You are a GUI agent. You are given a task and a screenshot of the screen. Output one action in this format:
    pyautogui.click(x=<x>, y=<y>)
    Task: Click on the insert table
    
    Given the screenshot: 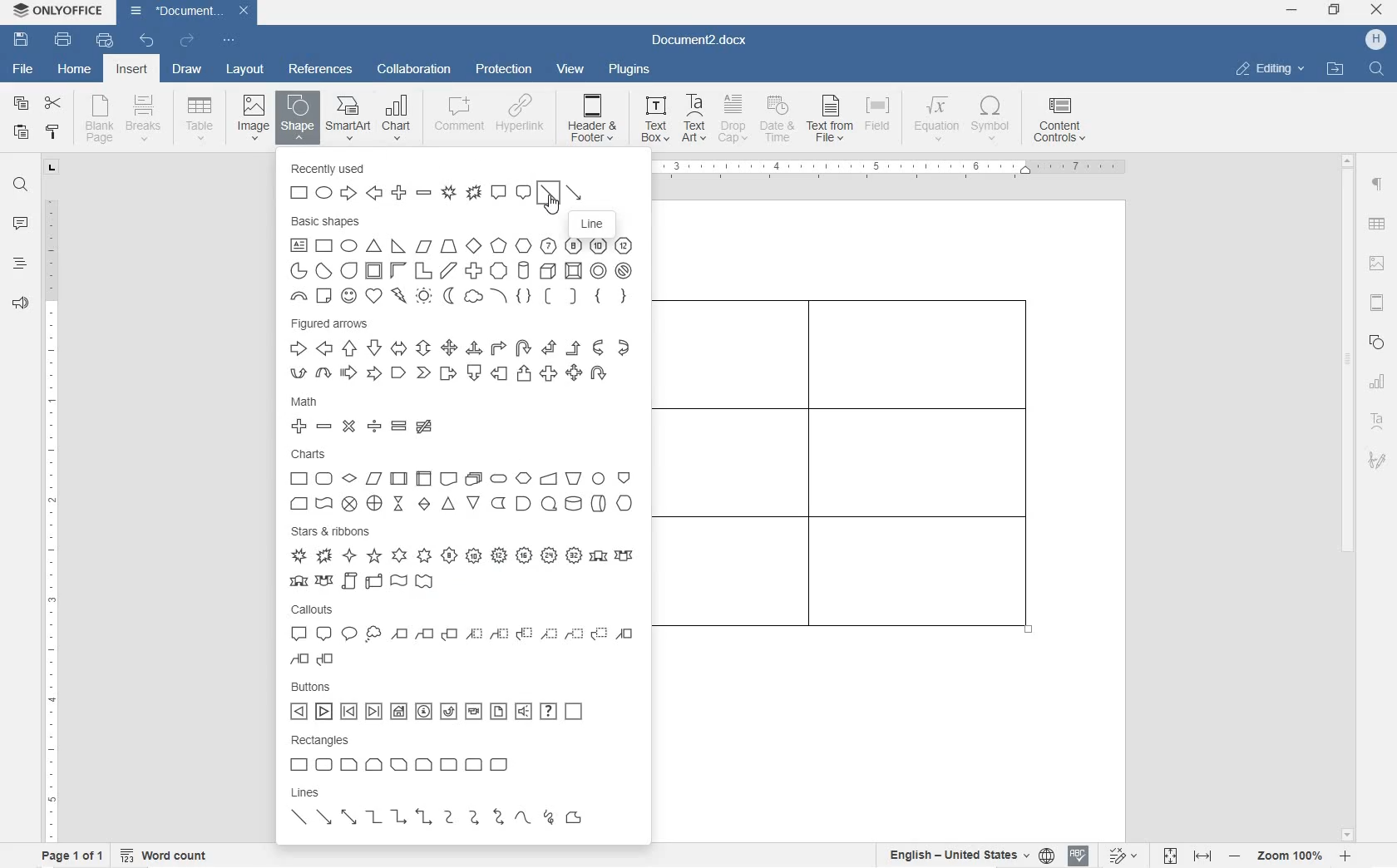 What is the action you would take?
    pyautogui.click(x=196, y=118)
    